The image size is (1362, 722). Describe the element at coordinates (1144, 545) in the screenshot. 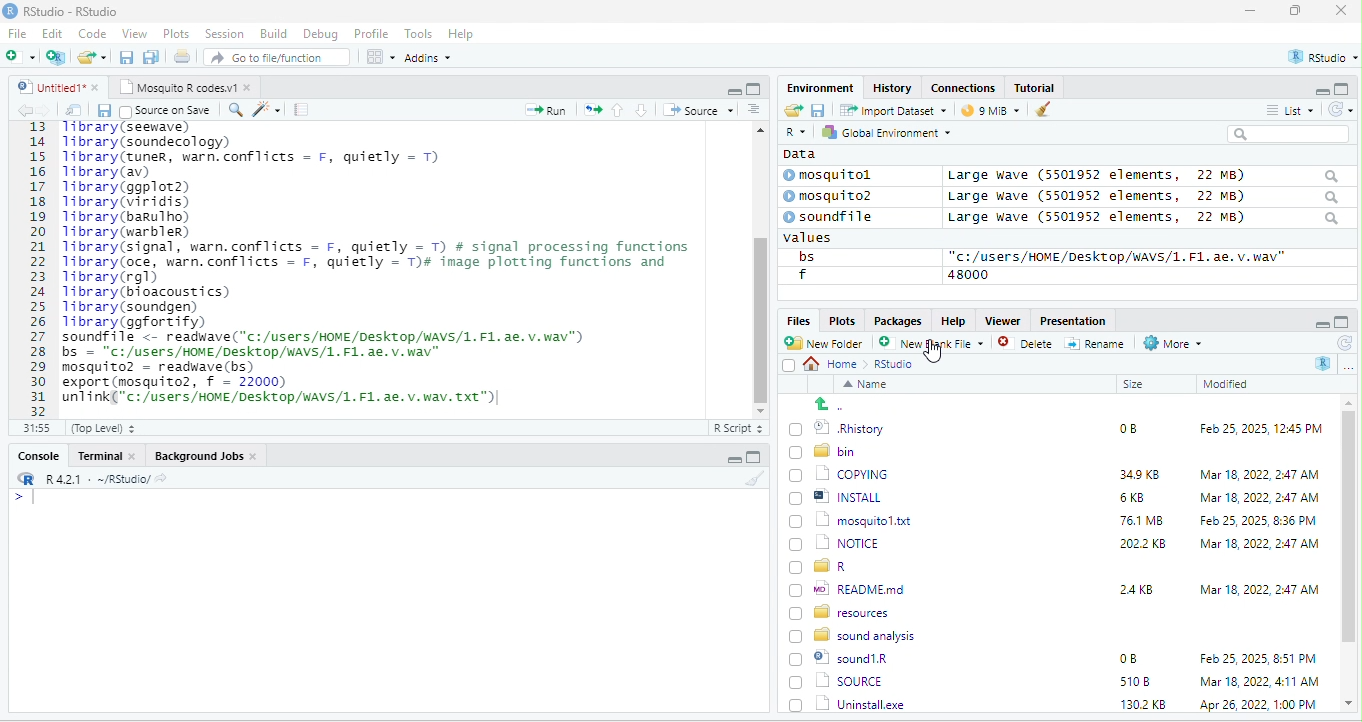

I see `2022 KB` at that location.